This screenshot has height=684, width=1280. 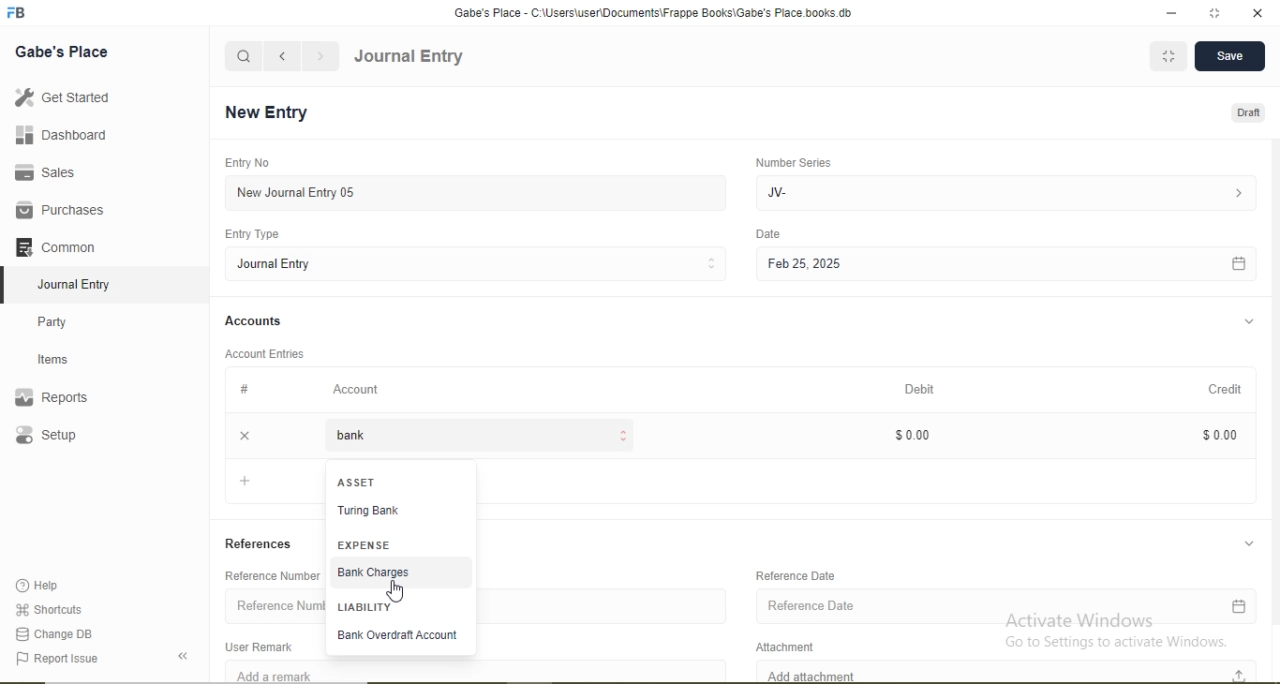 What do you see at coordinates (65, 359) in the screenshot?
I see `Items` at bounding box center [65, 359].